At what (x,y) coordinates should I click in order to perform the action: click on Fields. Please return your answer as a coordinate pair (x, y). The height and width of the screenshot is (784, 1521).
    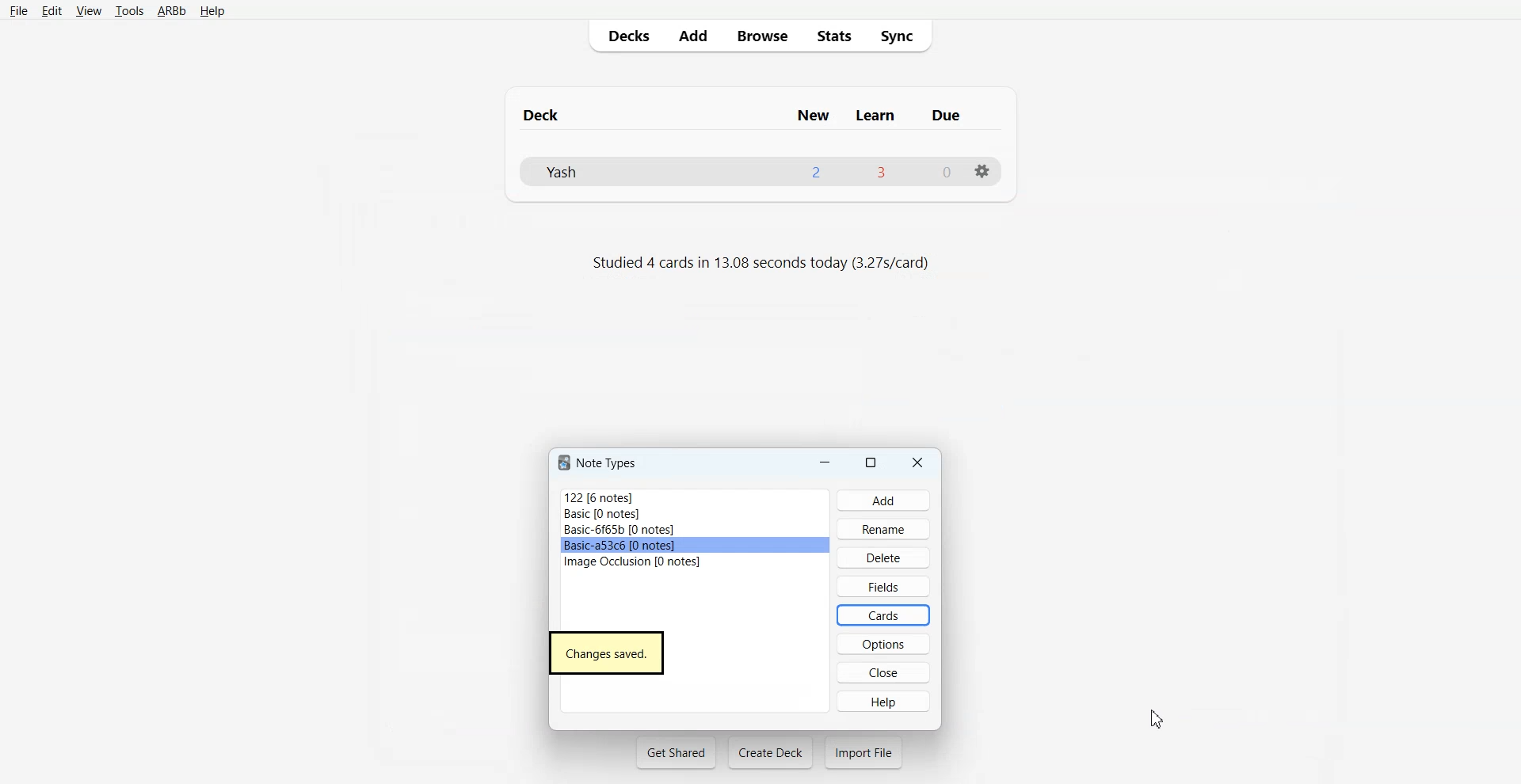
    Looking at the image, I should click on (882, 585).